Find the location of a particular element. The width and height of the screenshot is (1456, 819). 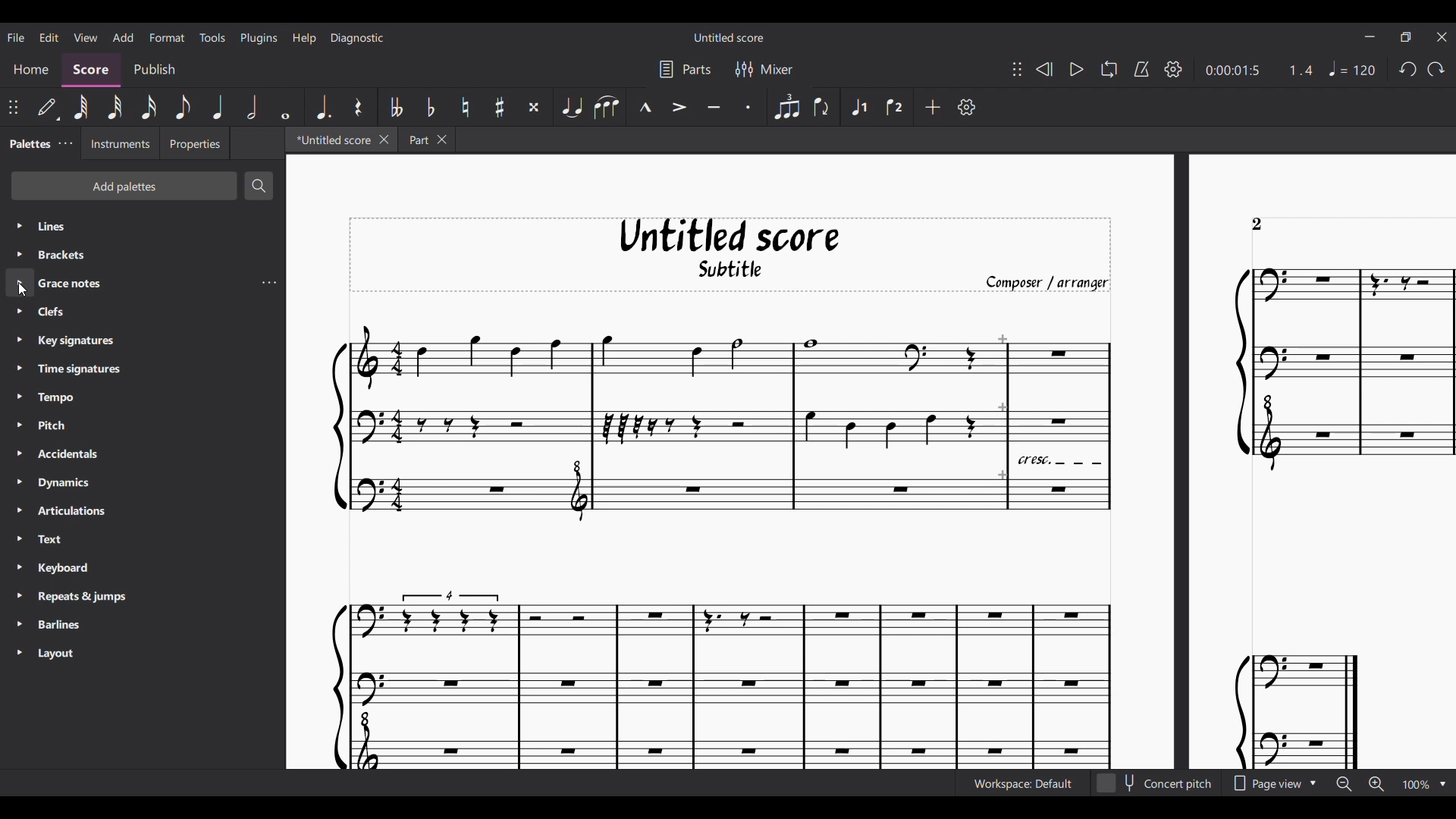

Mixer settings is located at coordinates (764, 69).